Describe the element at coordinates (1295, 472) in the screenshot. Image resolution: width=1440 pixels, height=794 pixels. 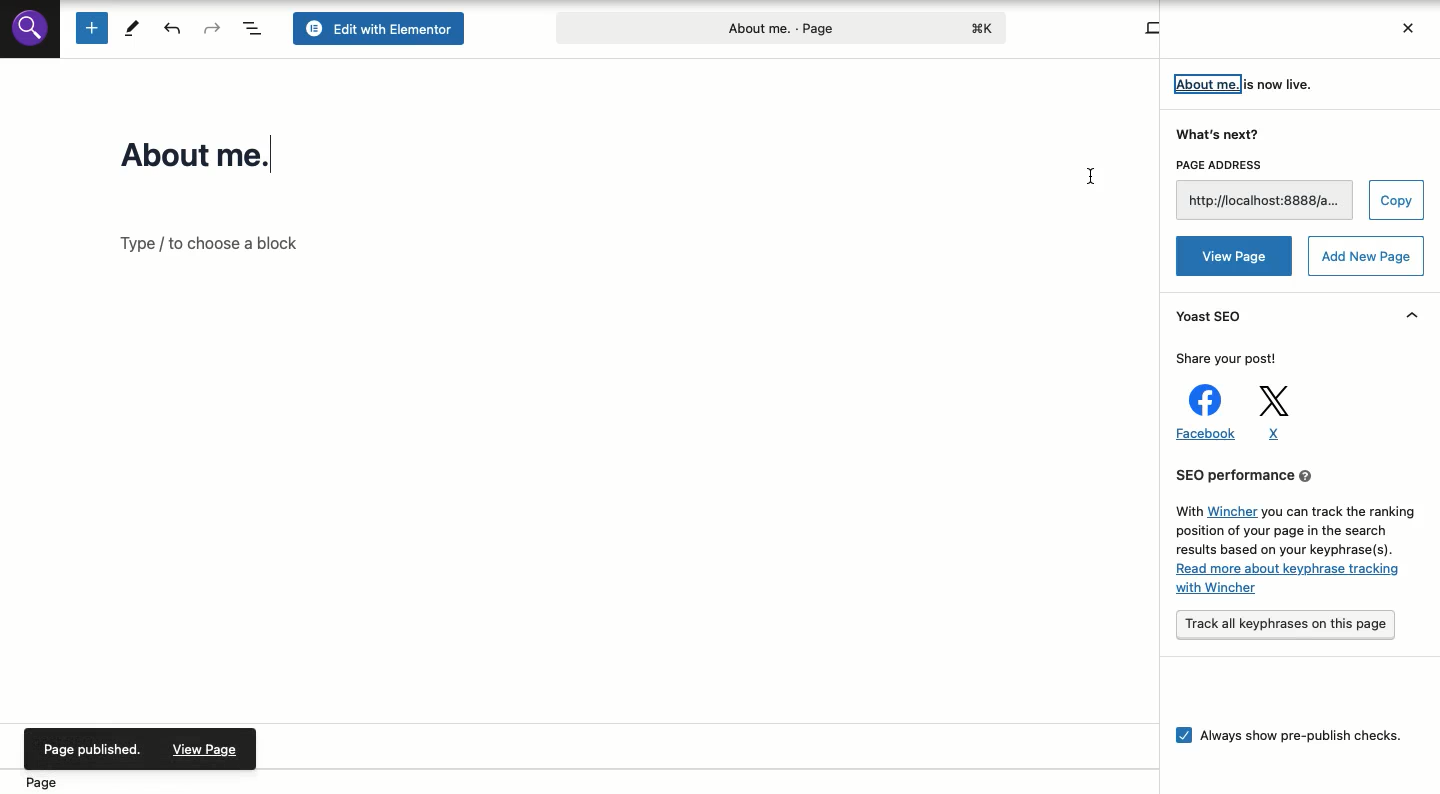
I see `SEO performance` at that location.